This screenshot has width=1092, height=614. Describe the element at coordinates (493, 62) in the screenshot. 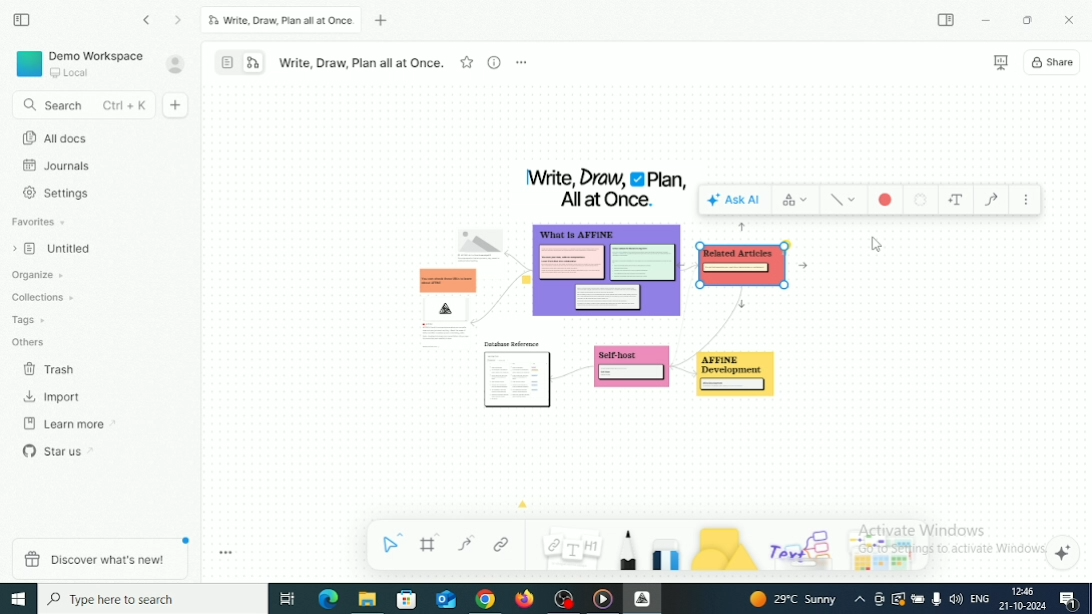

I see `View Info` at that location.